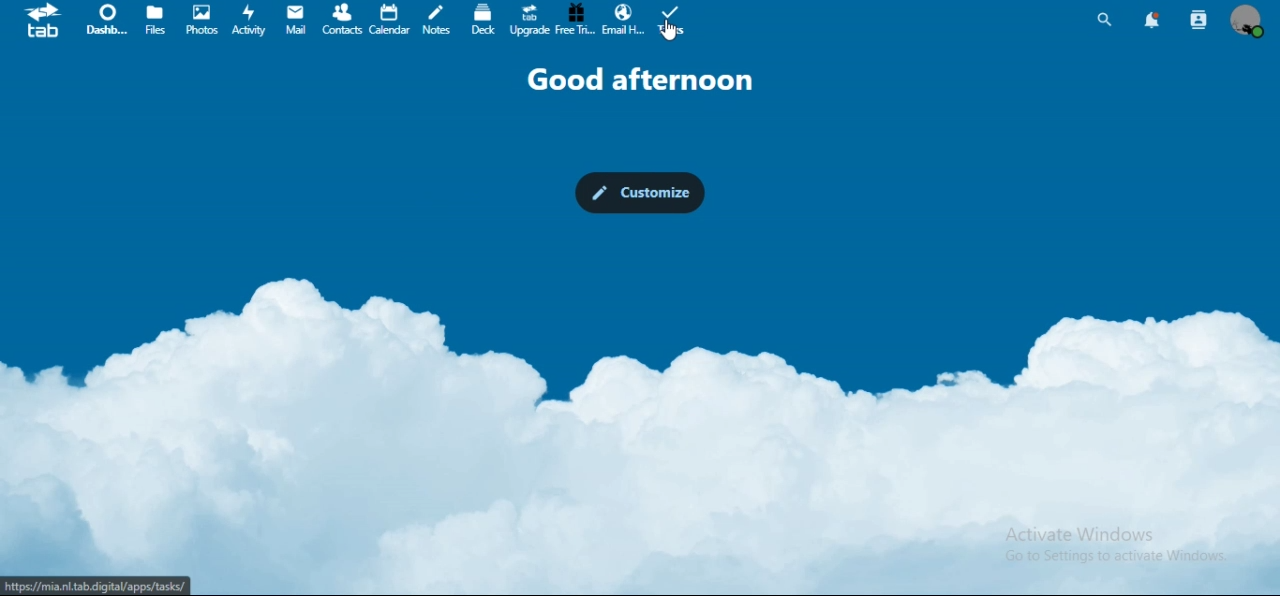 The width and height of the screenshot is (1280, 596). Describe the element at coordinates (437, 20) in the screenshot. I see `notes` at that location.